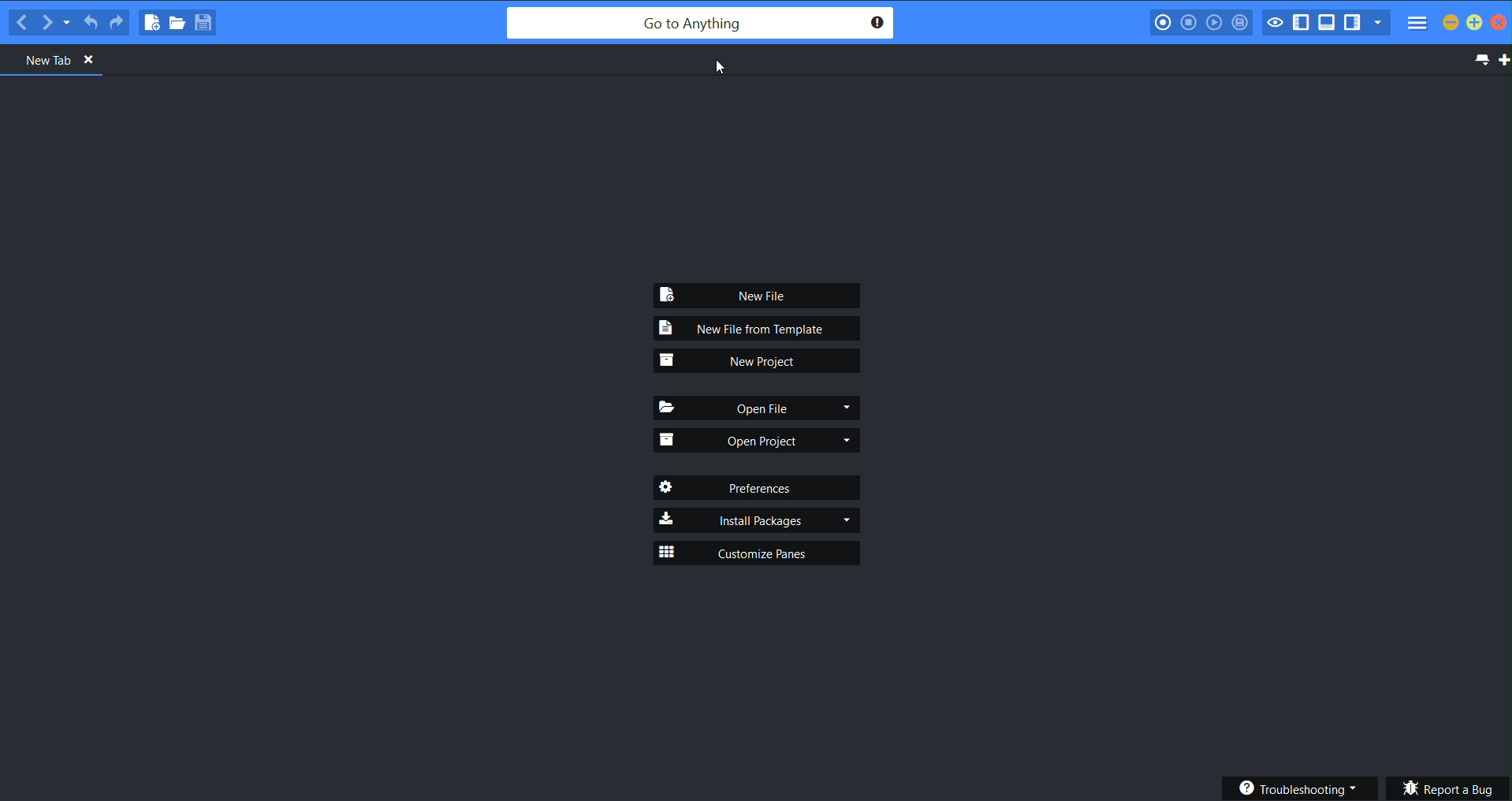 The height and width of the screenshot is (801, 1512). What do you see at coordinates (762, 294) in the screenshot?
I see `new file` at bounding box center [762, 294].